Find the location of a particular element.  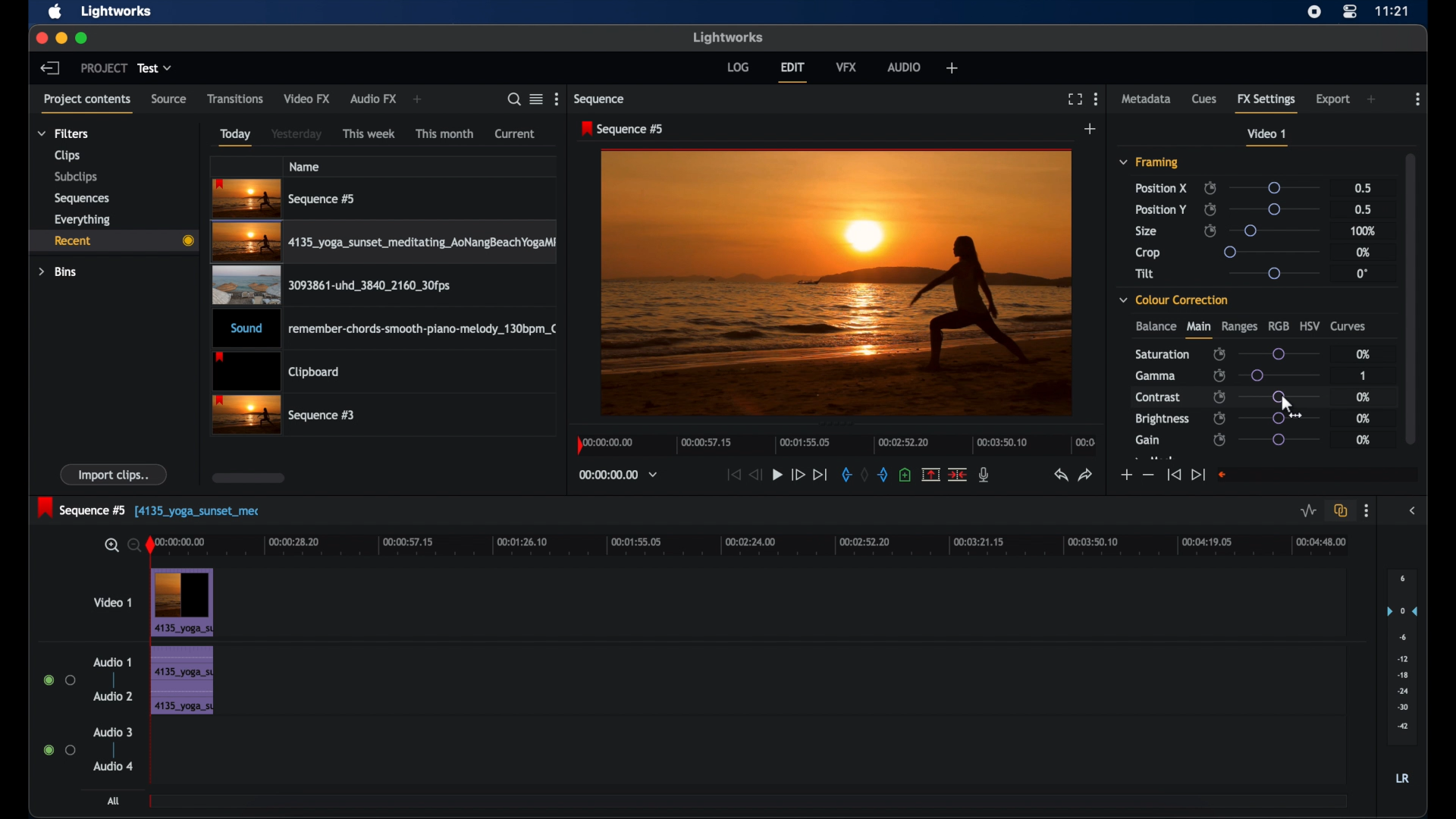

1 is located at coordinates (1362, 377).